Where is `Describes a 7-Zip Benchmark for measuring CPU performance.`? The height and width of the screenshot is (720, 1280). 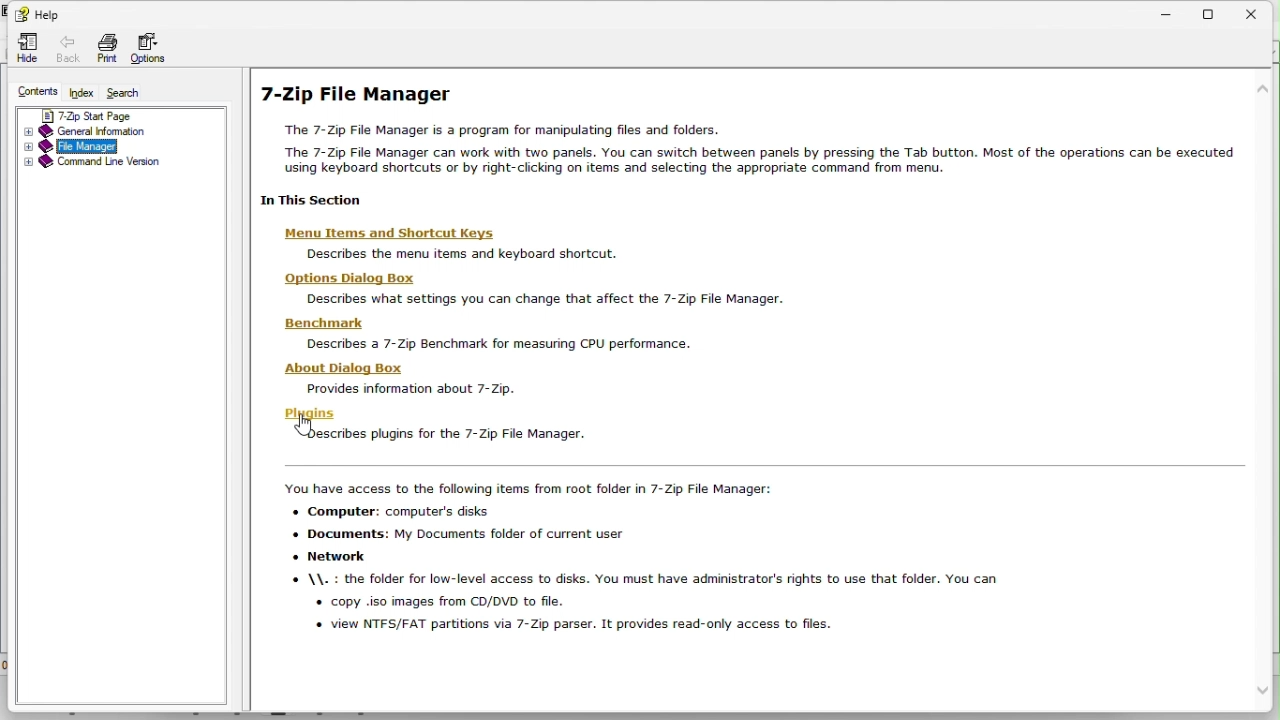
Describes a 7-Zip Benchmark for measuring CPU performance. is located at coordinates (507, 344).